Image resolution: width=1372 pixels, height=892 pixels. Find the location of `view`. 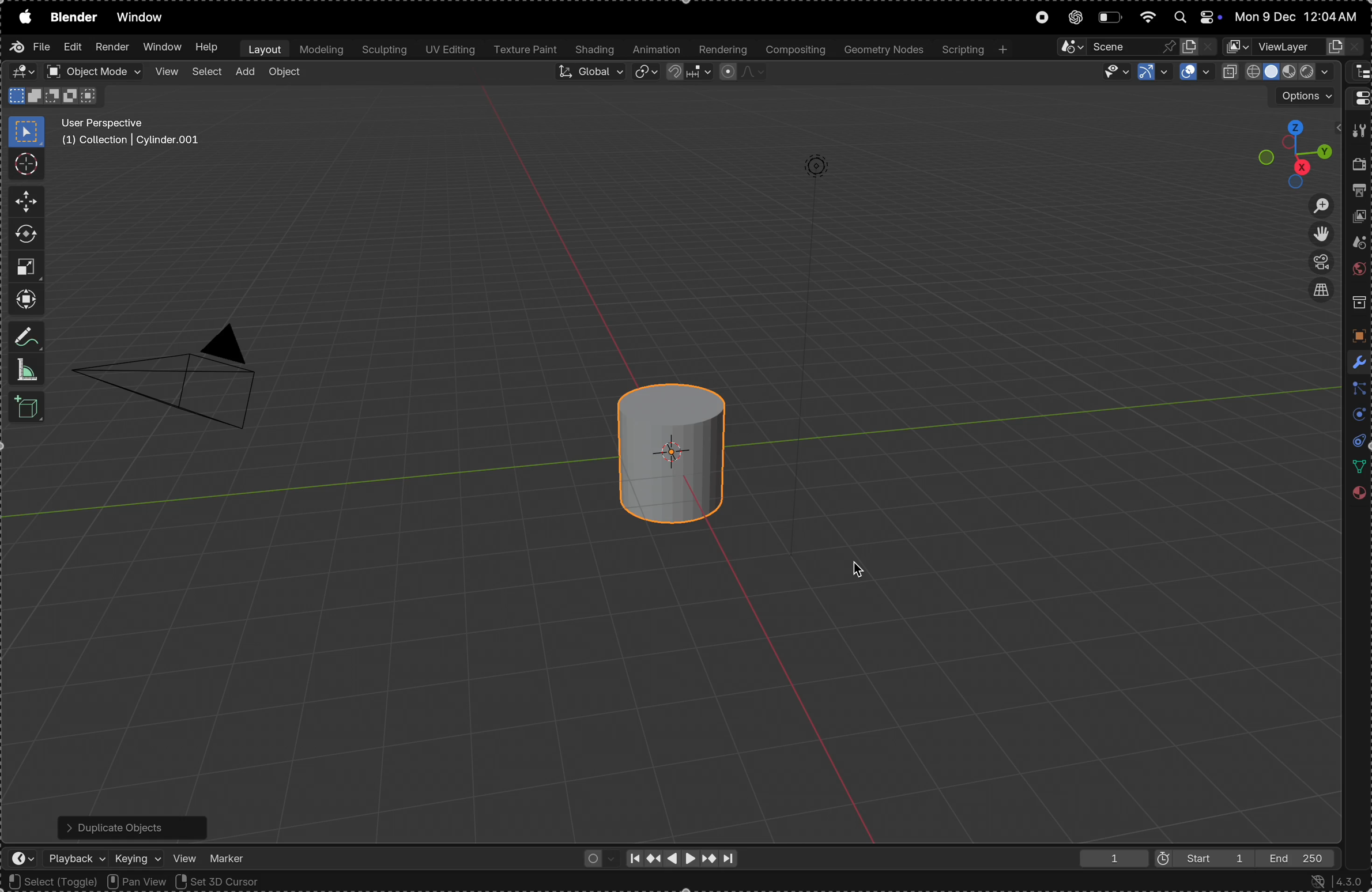

view is located at coordinates (165, 72).